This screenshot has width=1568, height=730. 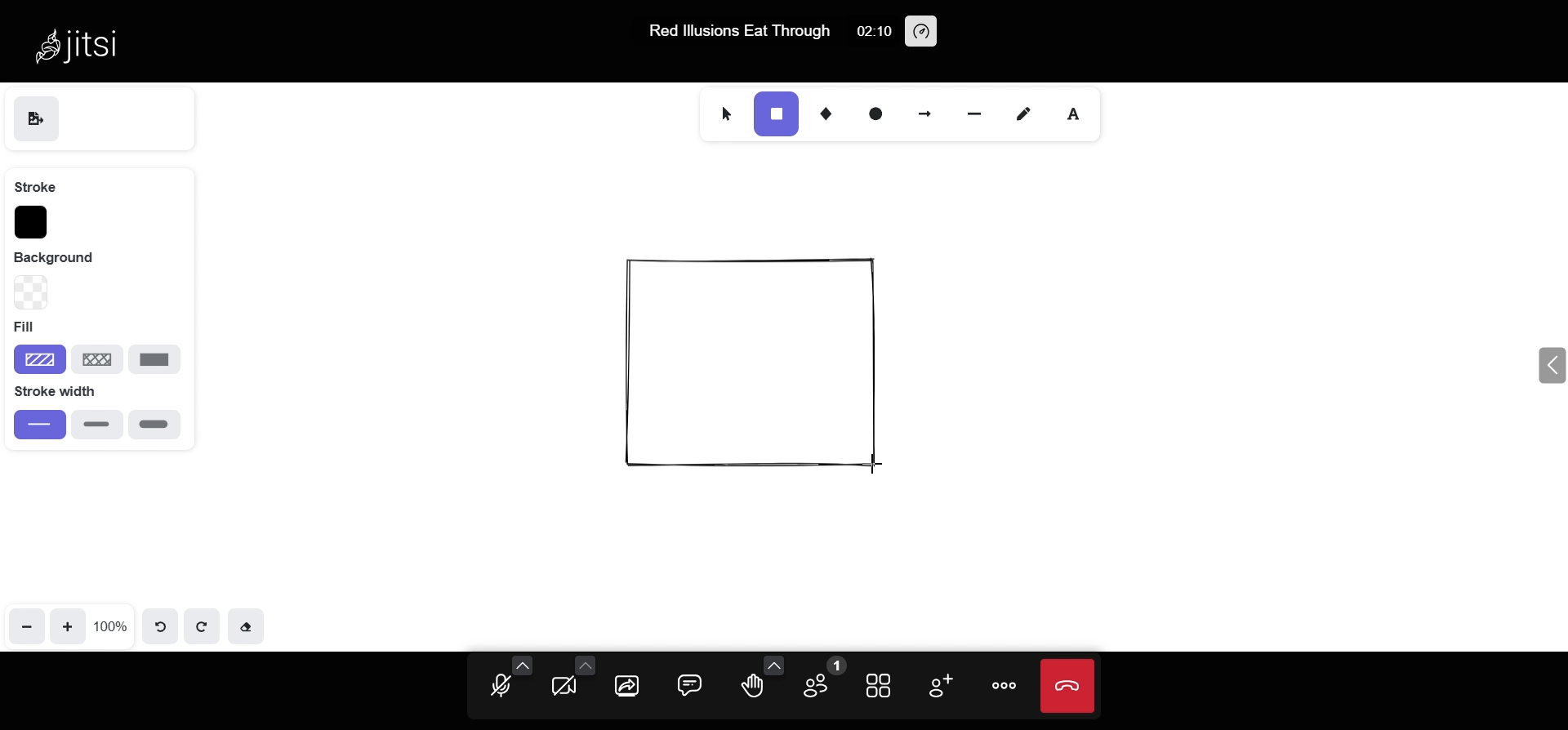 I want to click on camera, so click(x=565, y=689).